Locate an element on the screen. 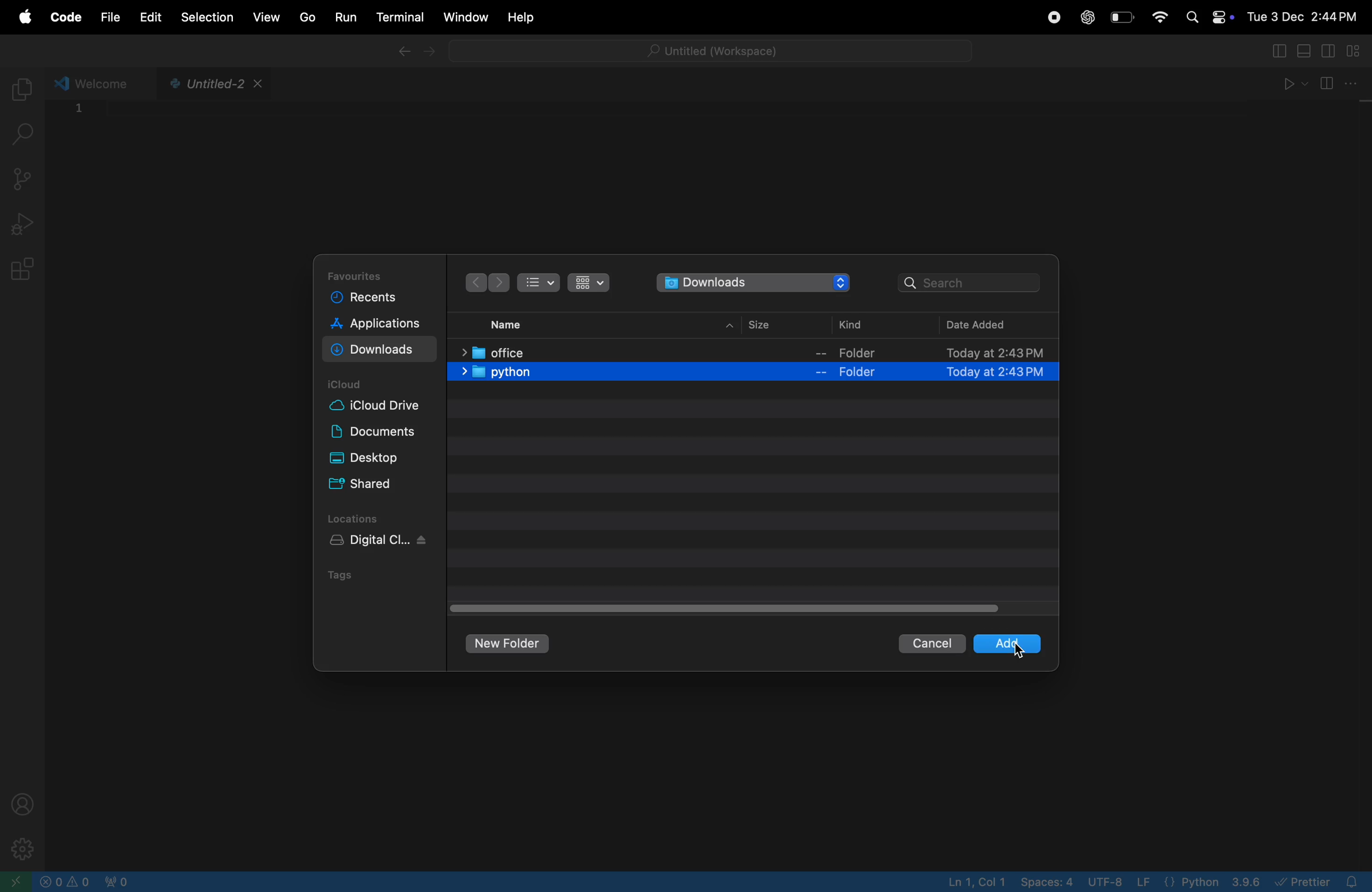 Image resolution: width=1372 pixels, height=892 pixels. forward is located at coordinates (439, 53).